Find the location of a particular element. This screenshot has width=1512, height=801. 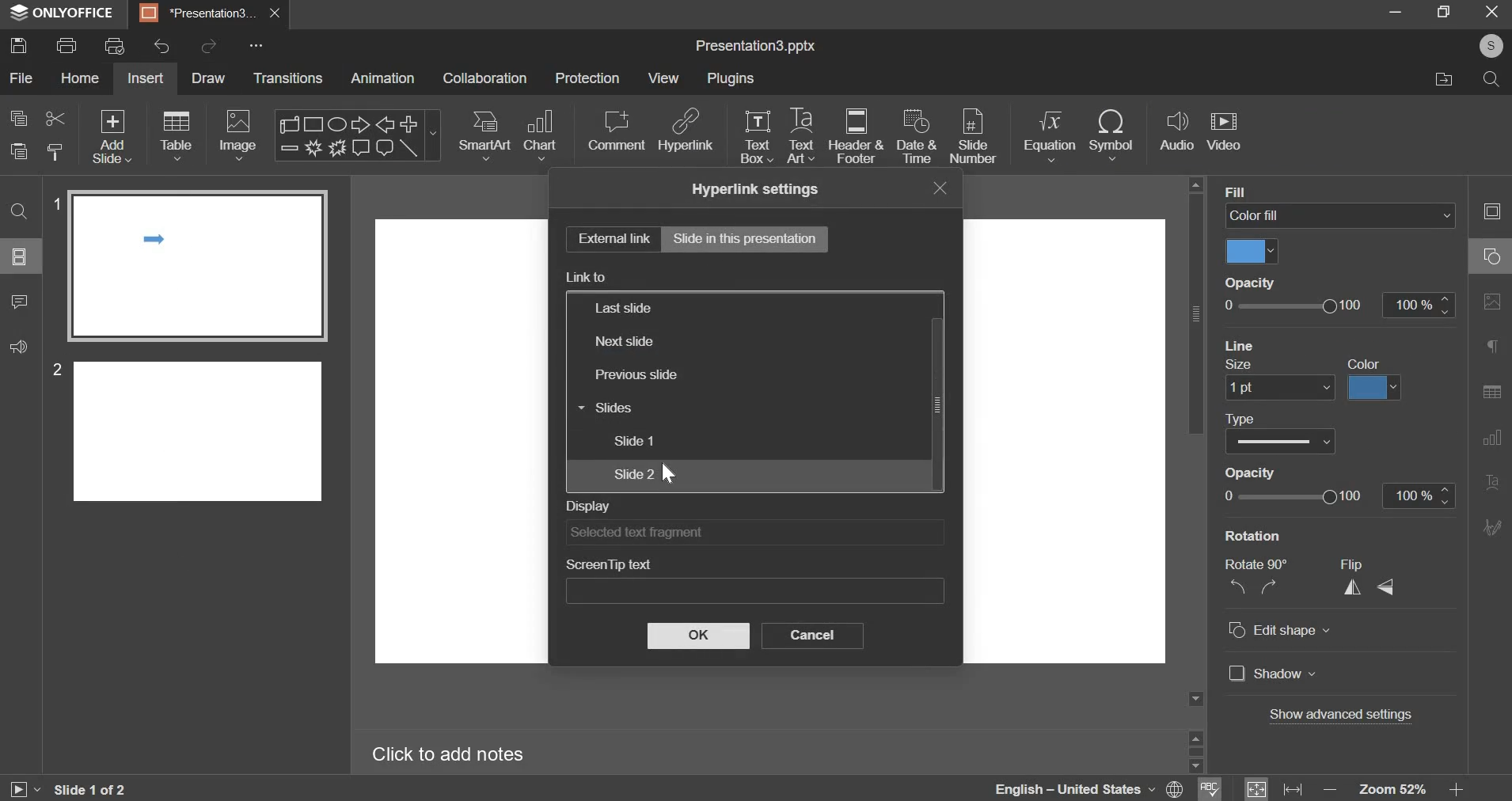

paste is located at coordinates (18, 151).